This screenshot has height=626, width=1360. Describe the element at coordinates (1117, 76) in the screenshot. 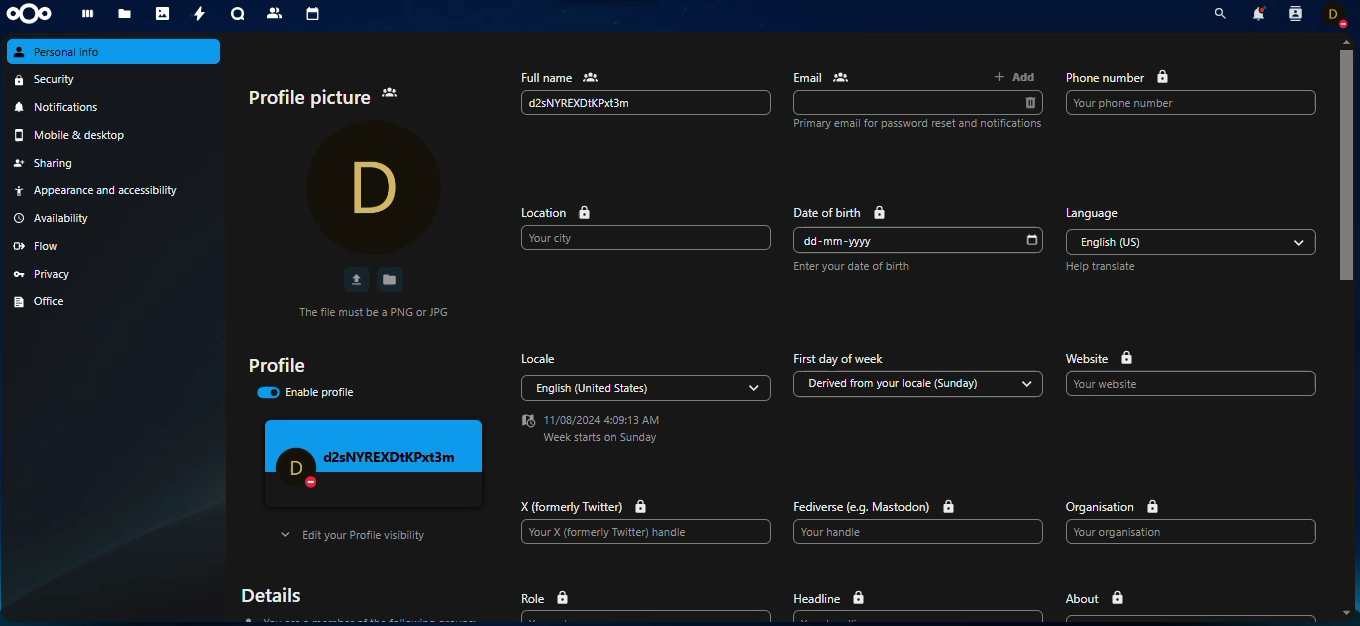

I see `phone number` at that location.